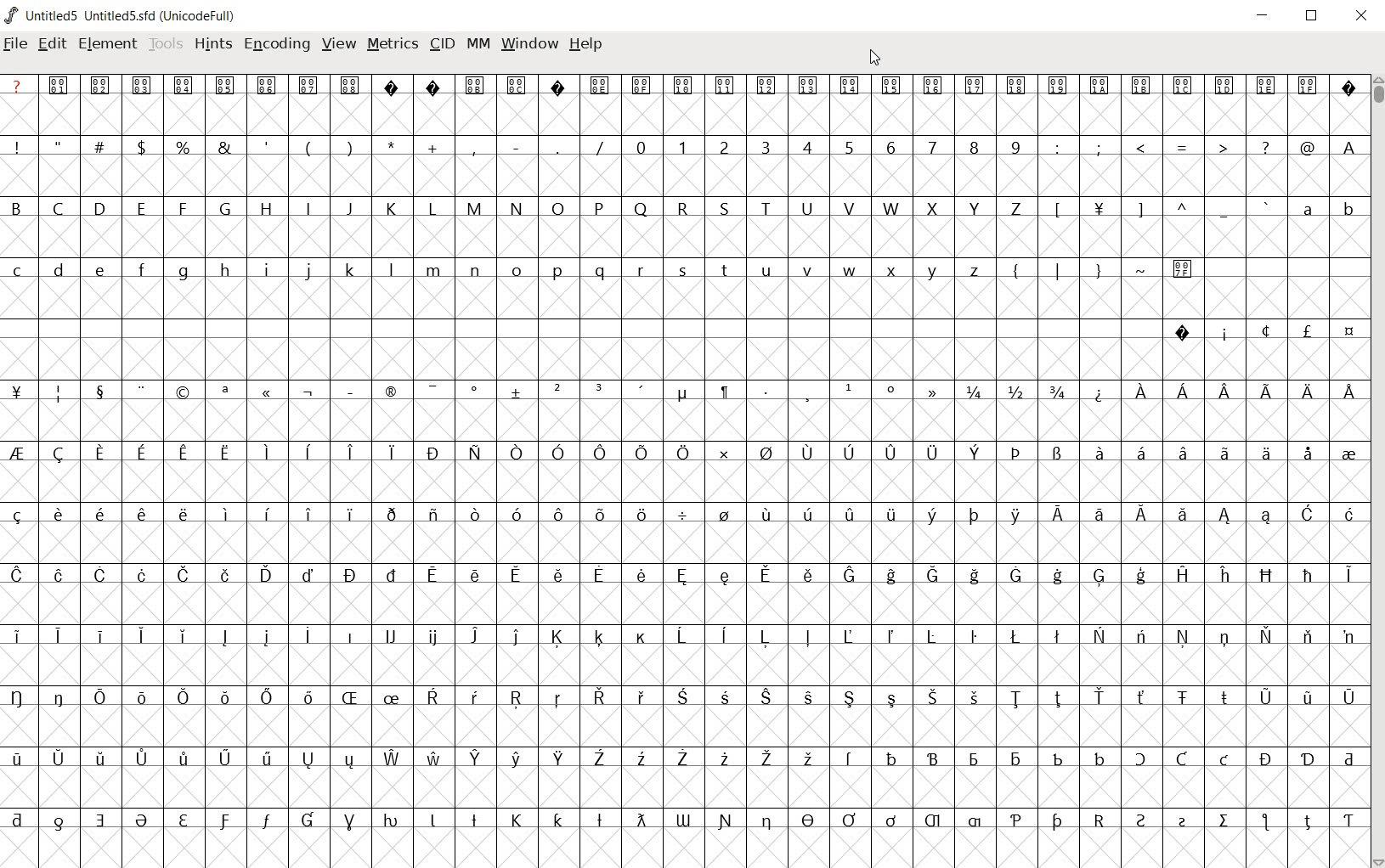 Image resolution: width=1385 pixels, height=868 pixels. I want to click on Symbol, so click(726, 393).